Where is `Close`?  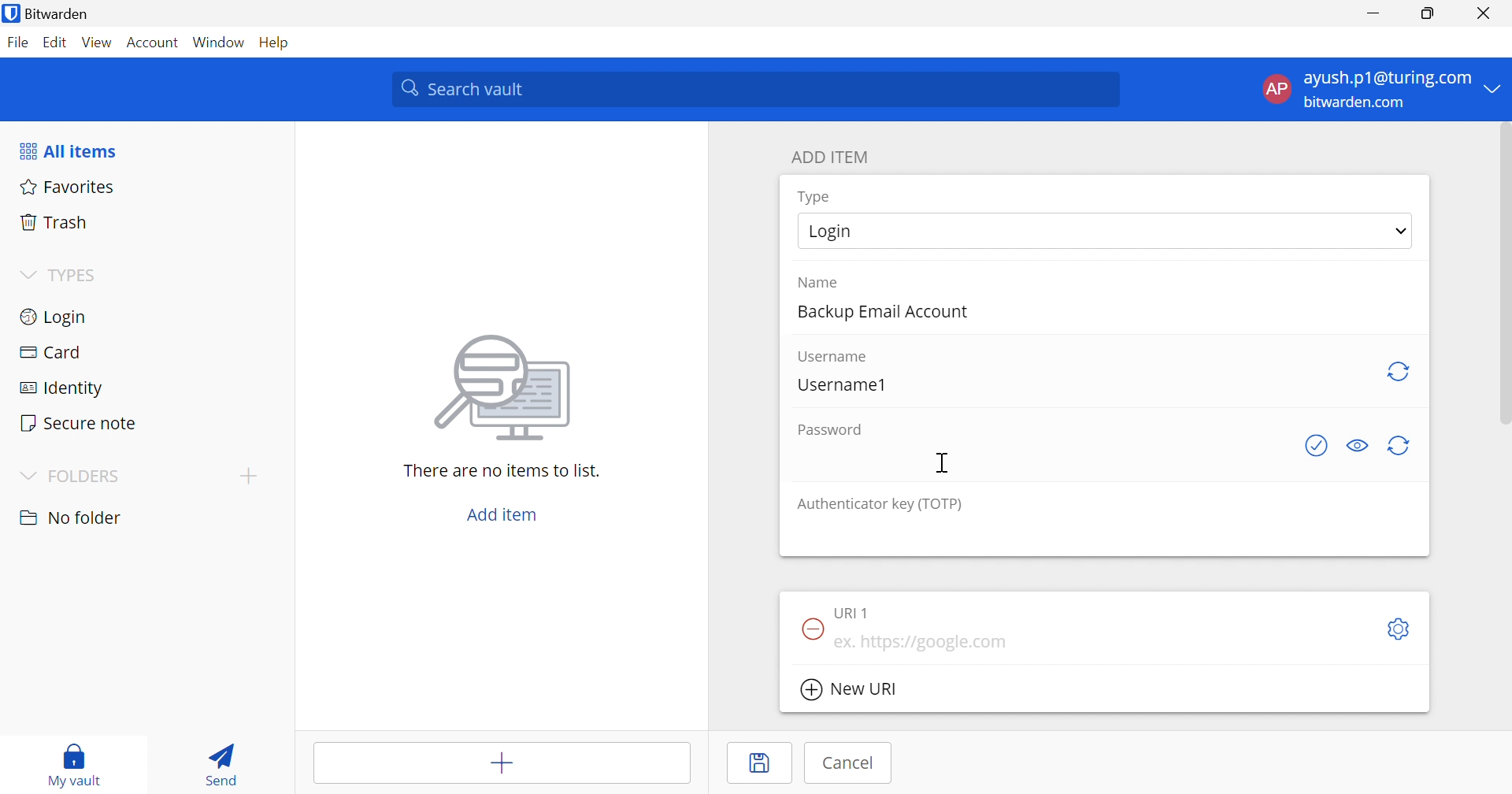
Close is located at coordinates (1484, 13).